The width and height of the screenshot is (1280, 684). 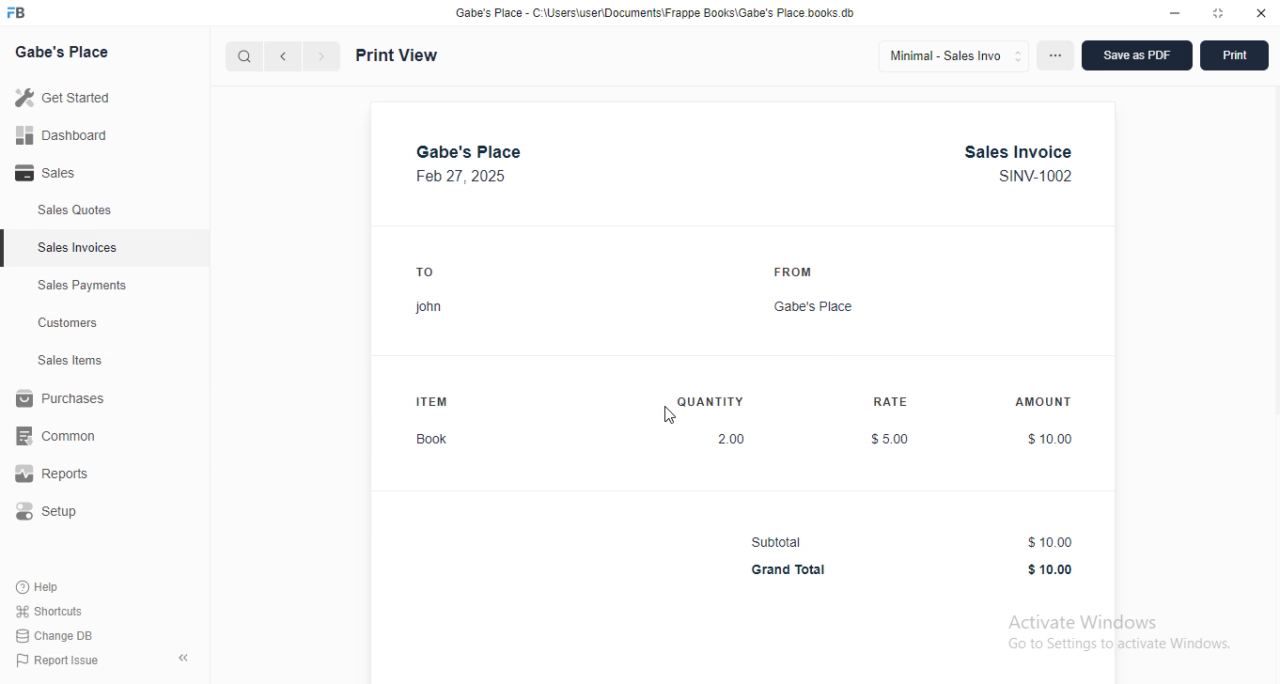 I want to click on sales, so click(x=48, y=172).